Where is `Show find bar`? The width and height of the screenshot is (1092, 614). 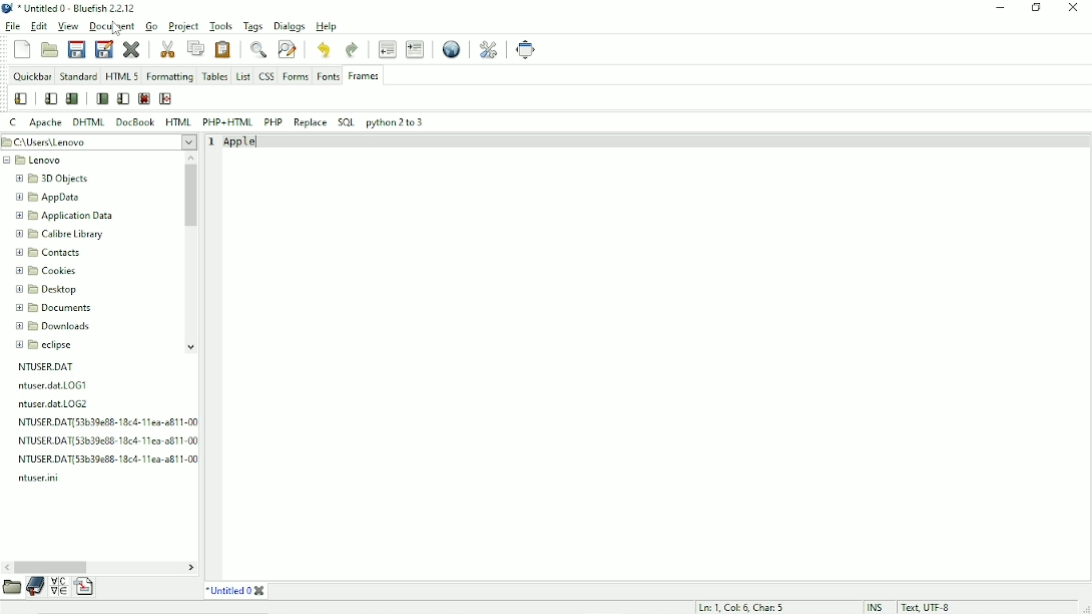 Show find bar is located at coordinates (258, 48).